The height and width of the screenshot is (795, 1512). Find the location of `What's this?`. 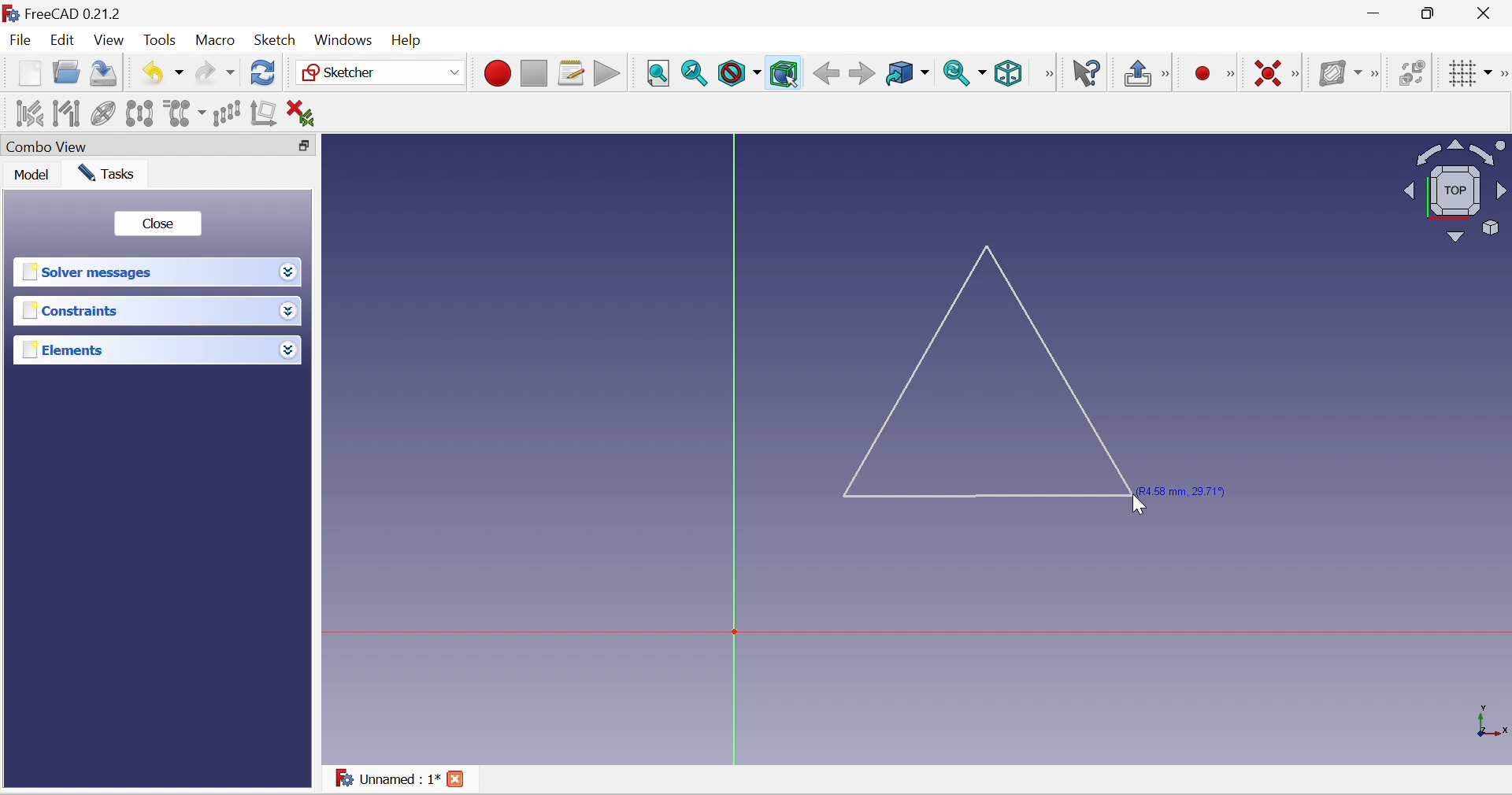

What's this? is located at coordinates (1084, 73).